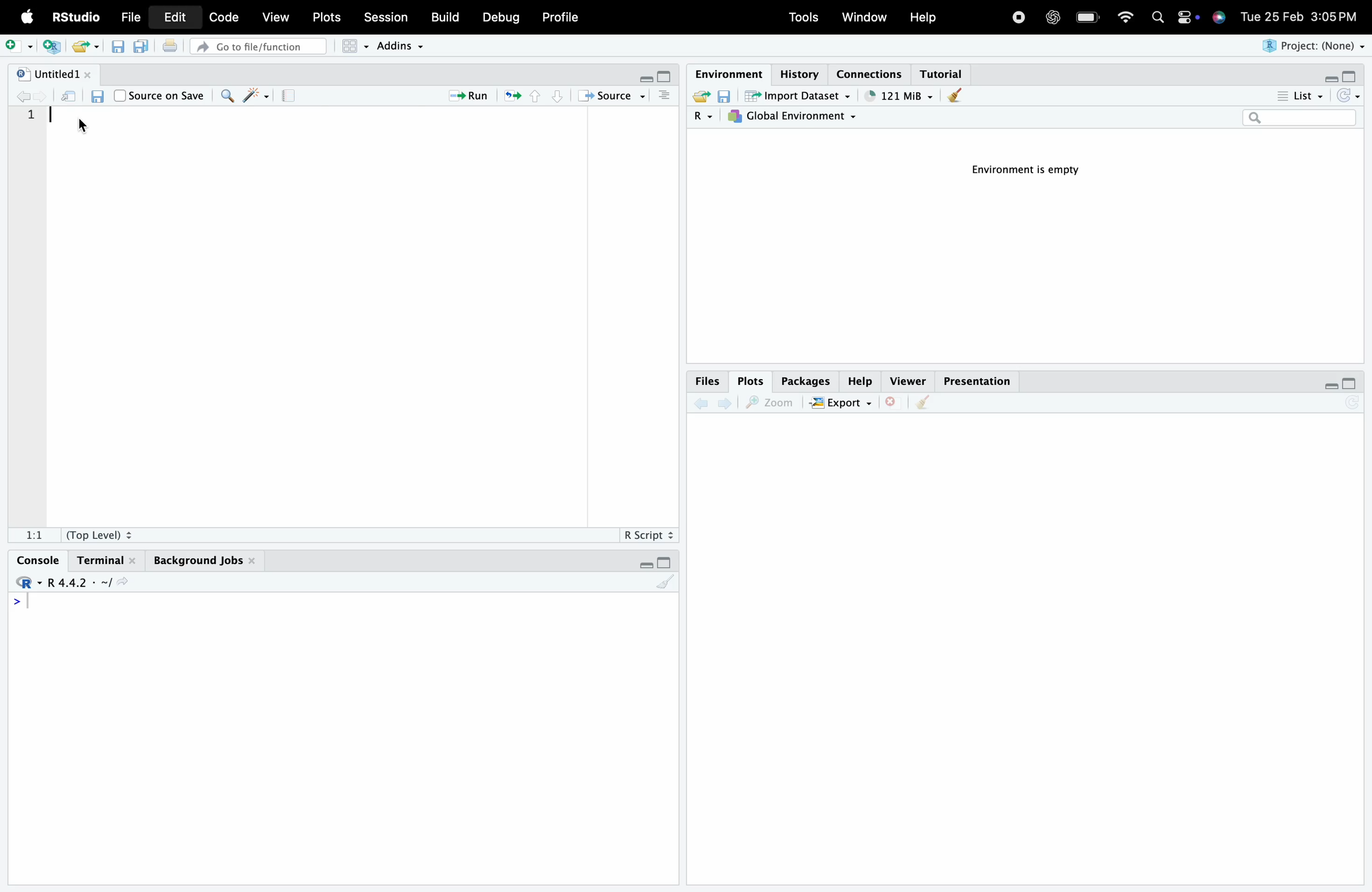  Describe the element at coordinates (499, 18) in the screenshot. I see `Debug` at that location.